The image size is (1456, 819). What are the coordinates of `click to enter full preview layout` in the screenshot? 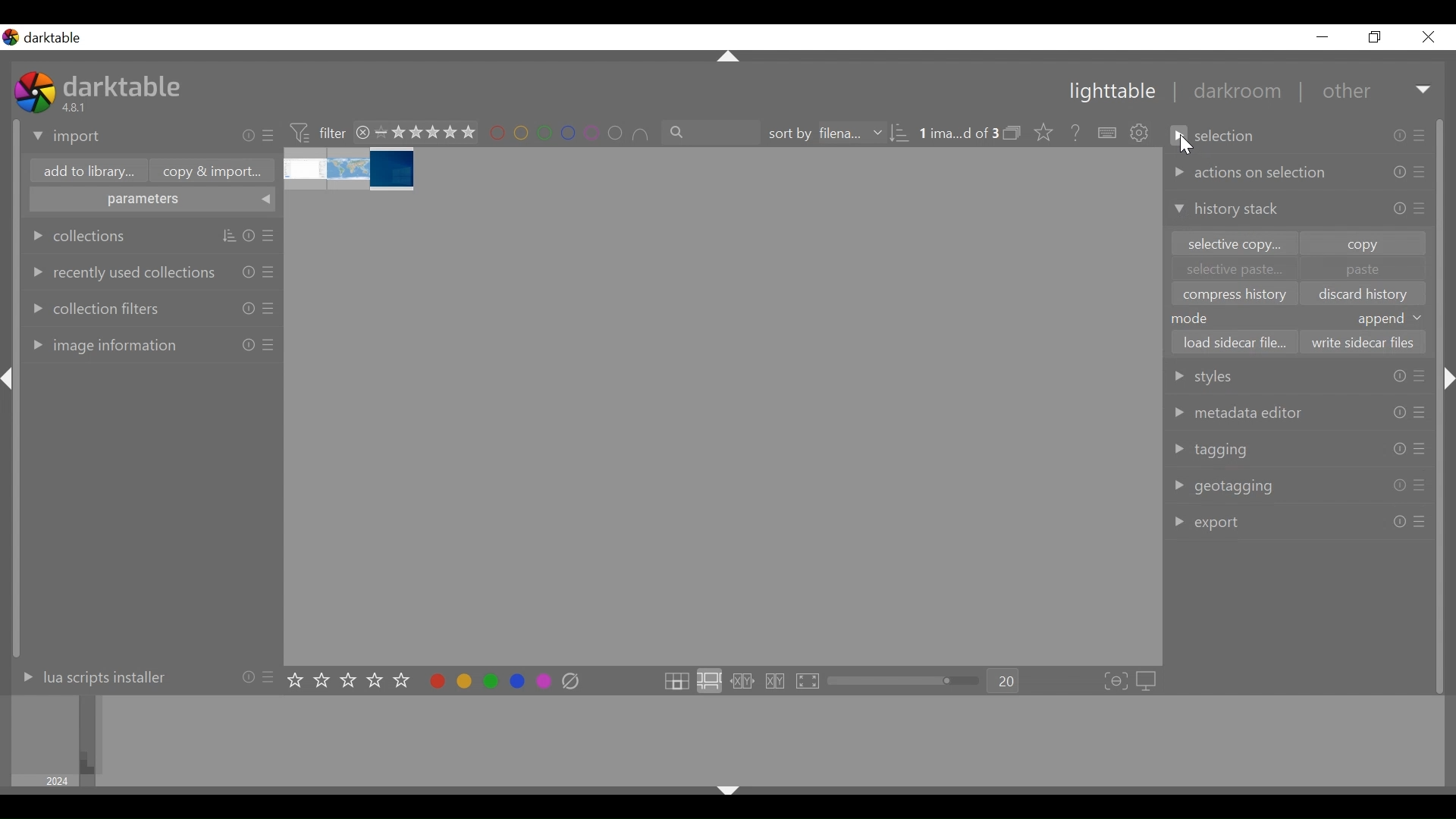 It's located at (809, 682).